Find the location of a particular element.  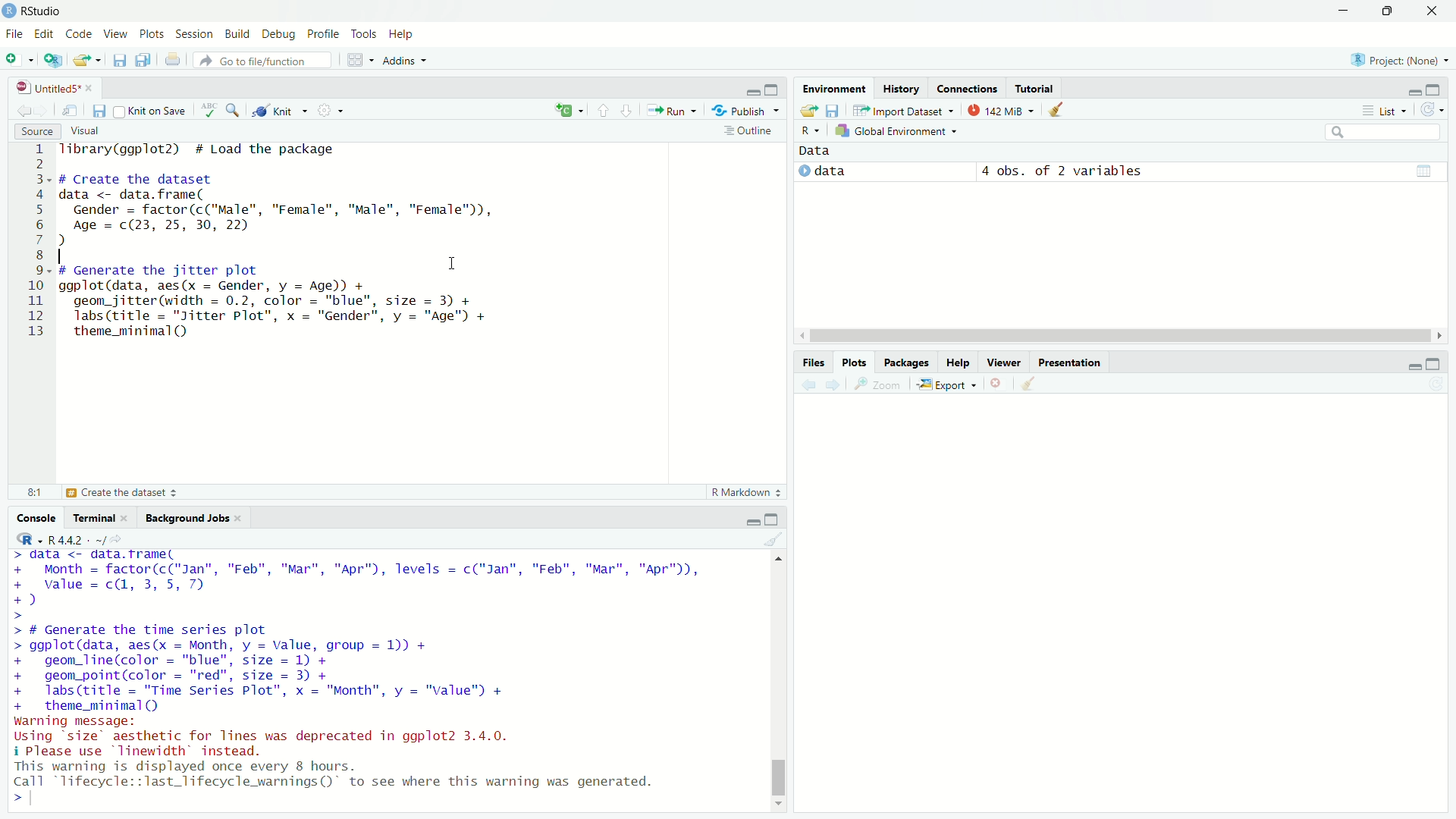

run the current line or selection is located at coordinates (673, 109).